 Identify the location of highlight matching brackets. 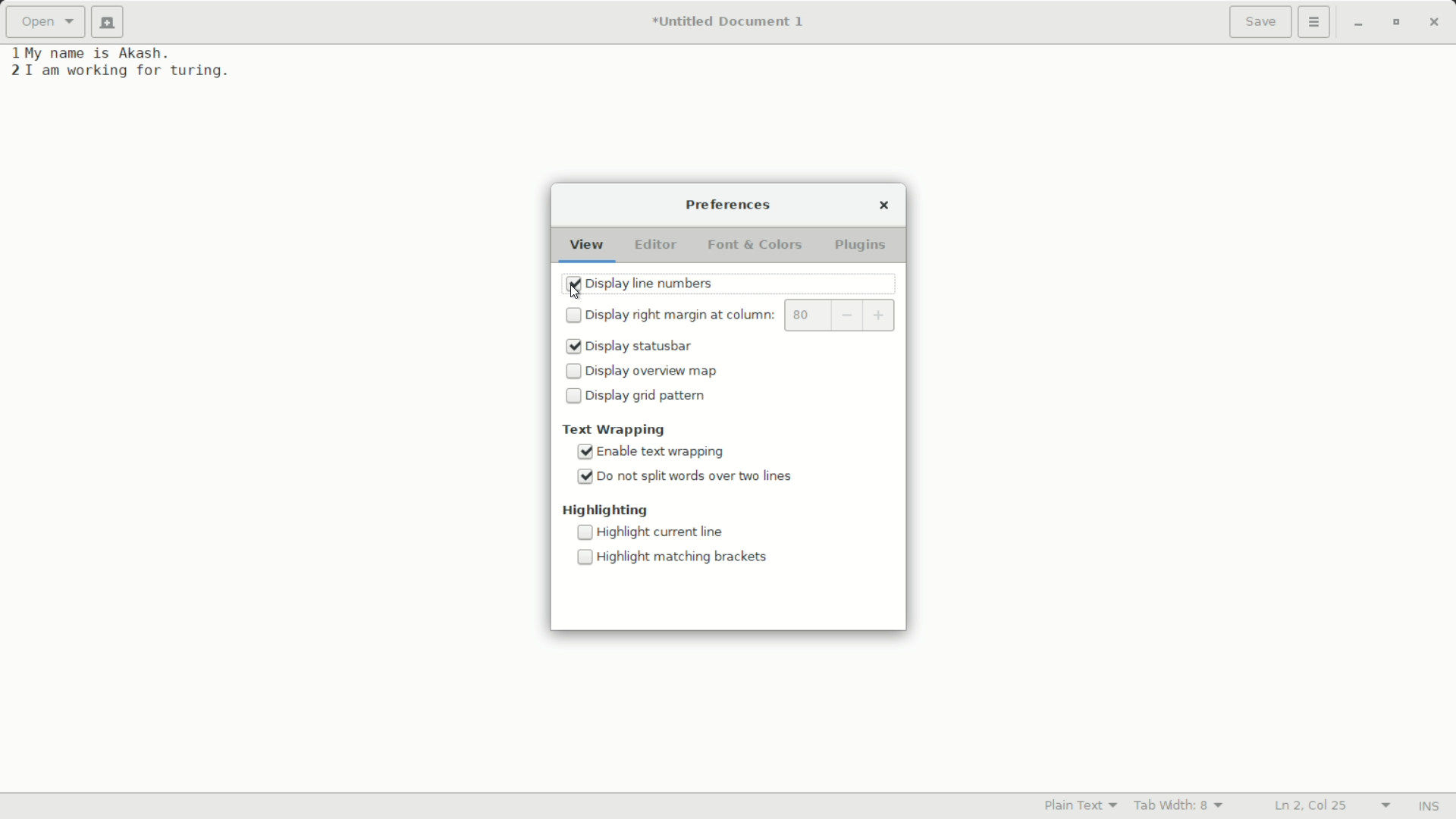
(685, 558).